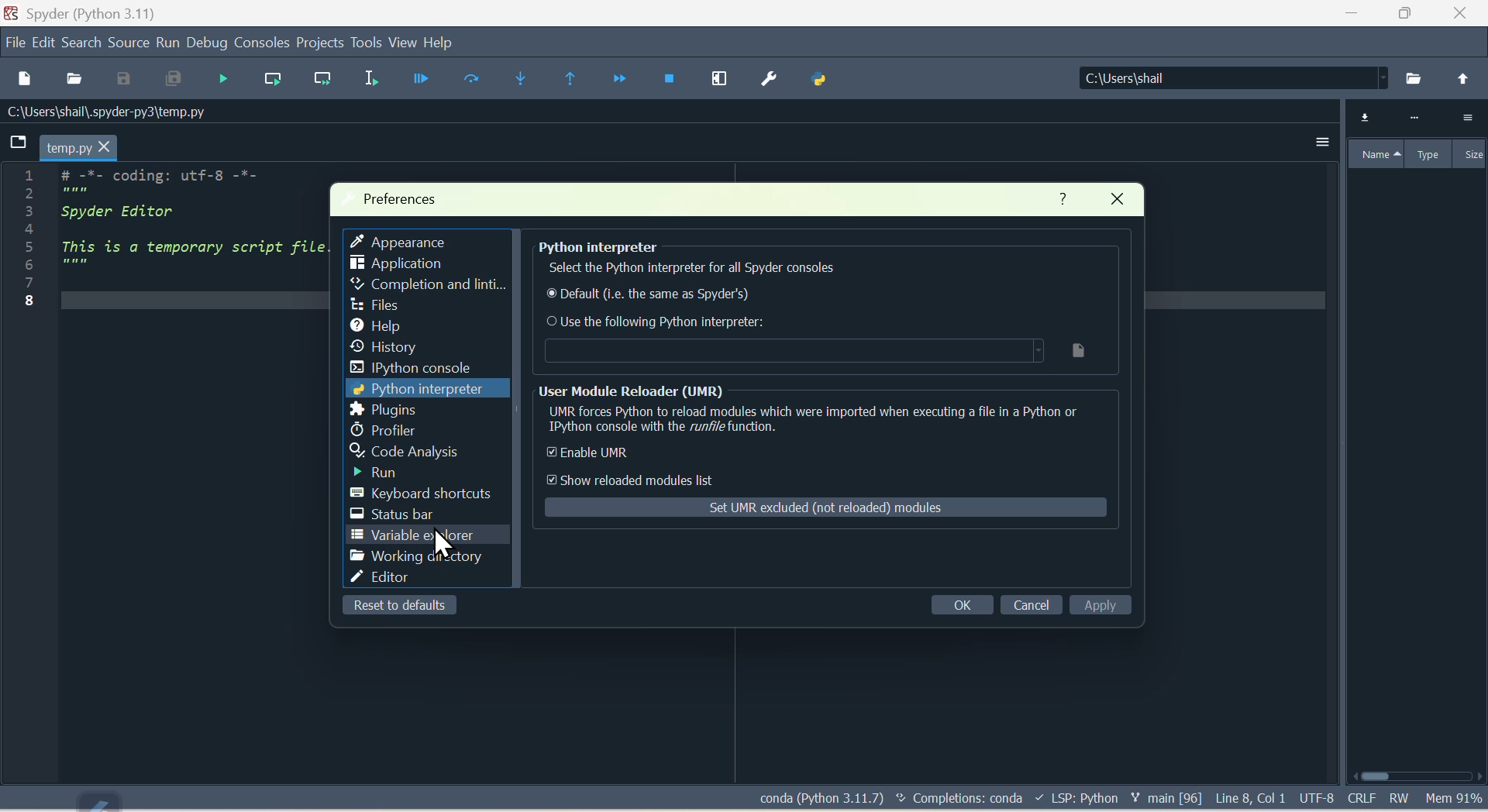  I want to click on Set UMR excluded (not reloaded) modules, so click(828, 508).